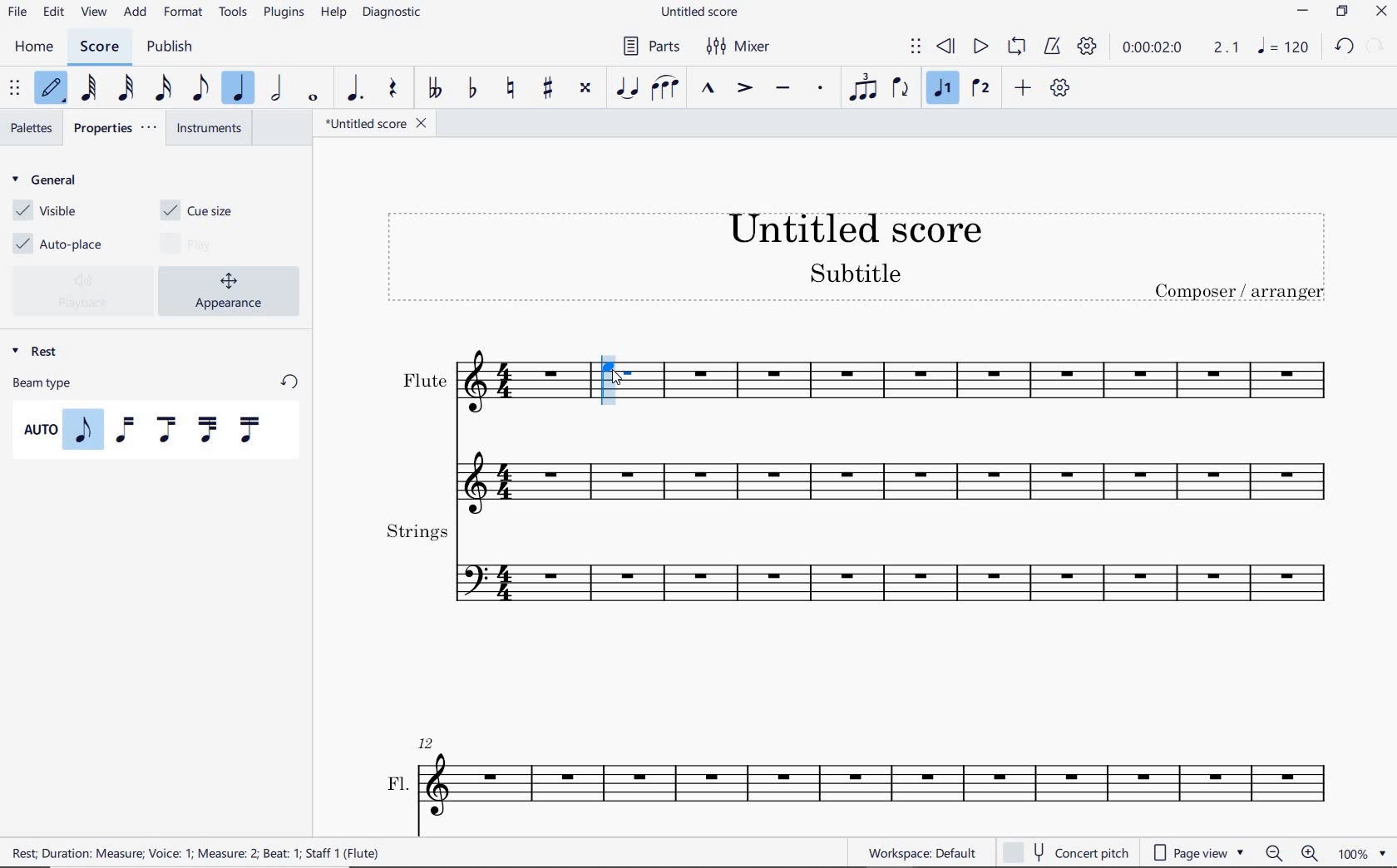 Image resolution: width=1397 pixels, height=868 pixels. Describe the element at coordinates (1182, 50) in the screenshot. I see `PLAY TIME` at that location.